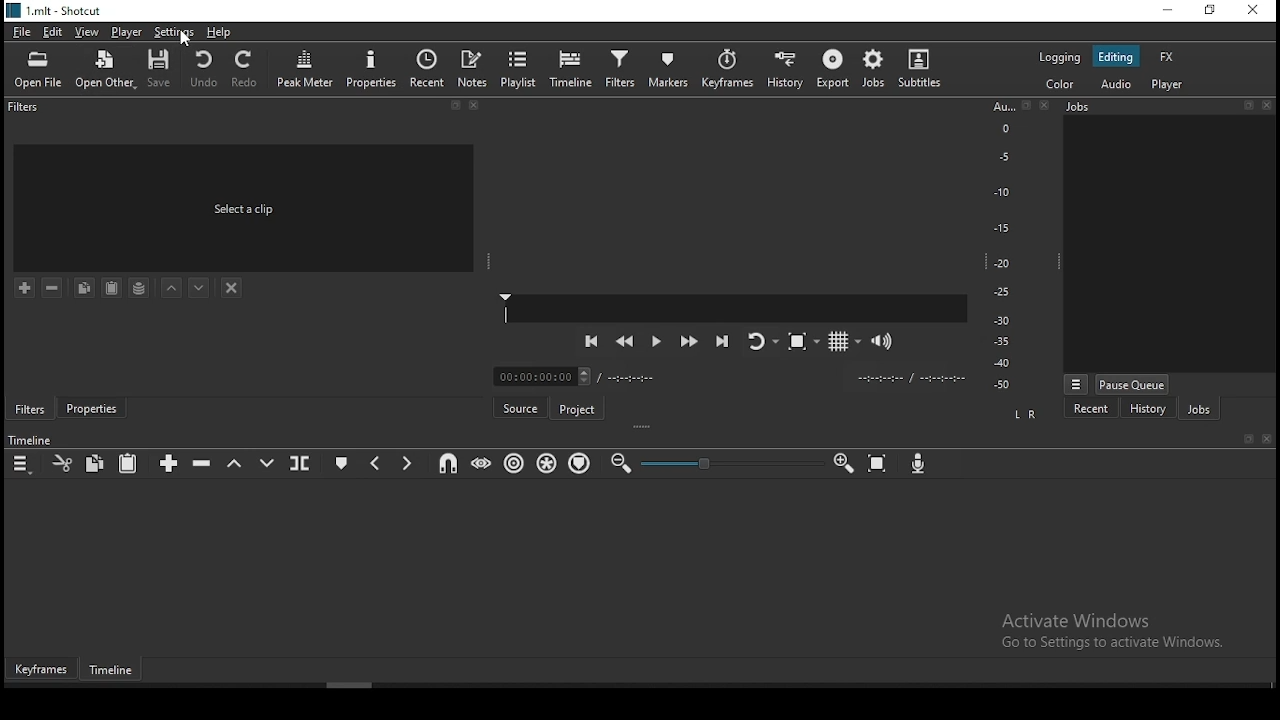 The image size is (1280, 720). I want to click on player, so click(1166, 85).